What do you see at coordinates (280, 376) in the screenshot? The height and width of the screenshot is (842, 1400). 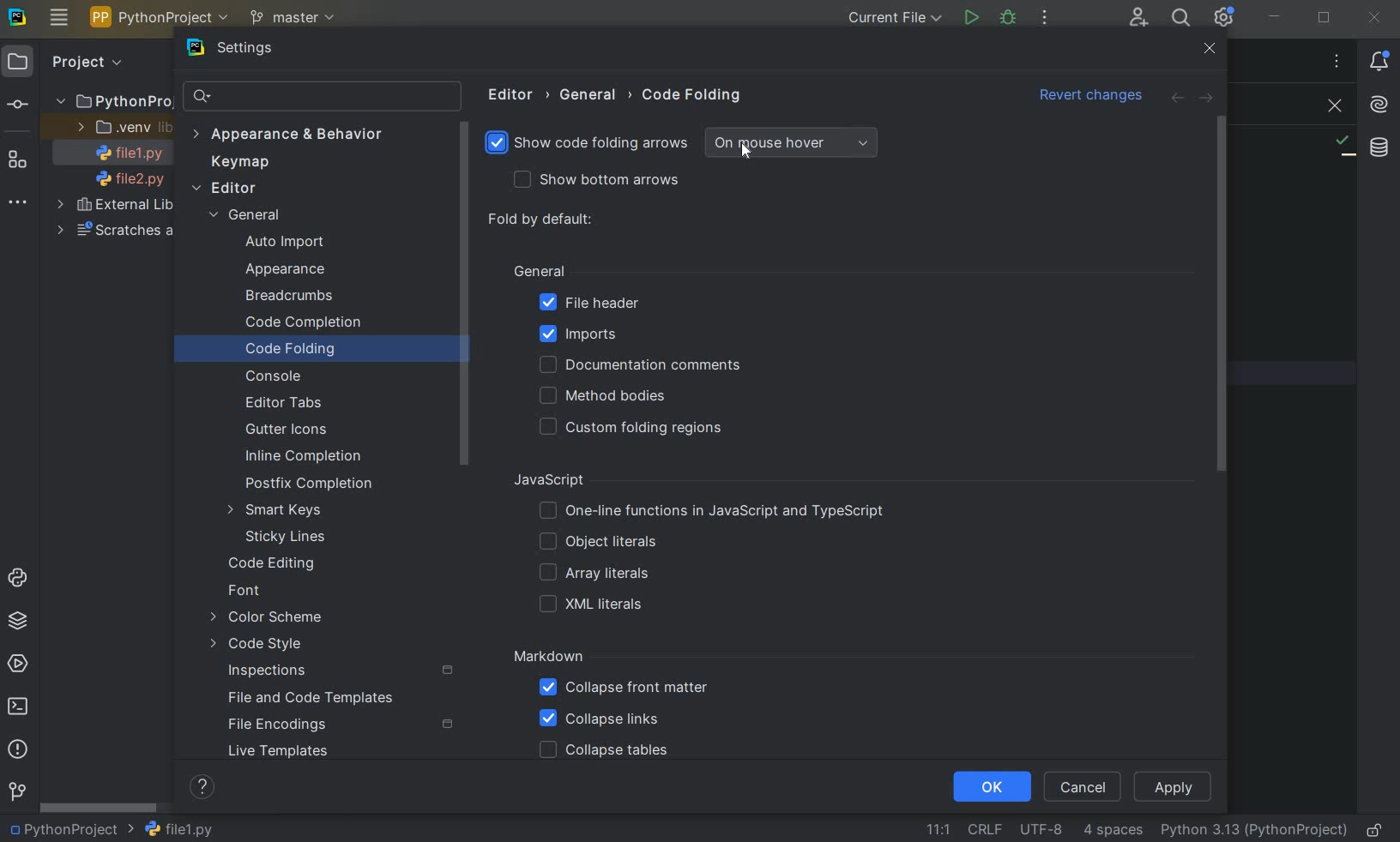 I see `CONSOLE` at bounding box center [280, 376].